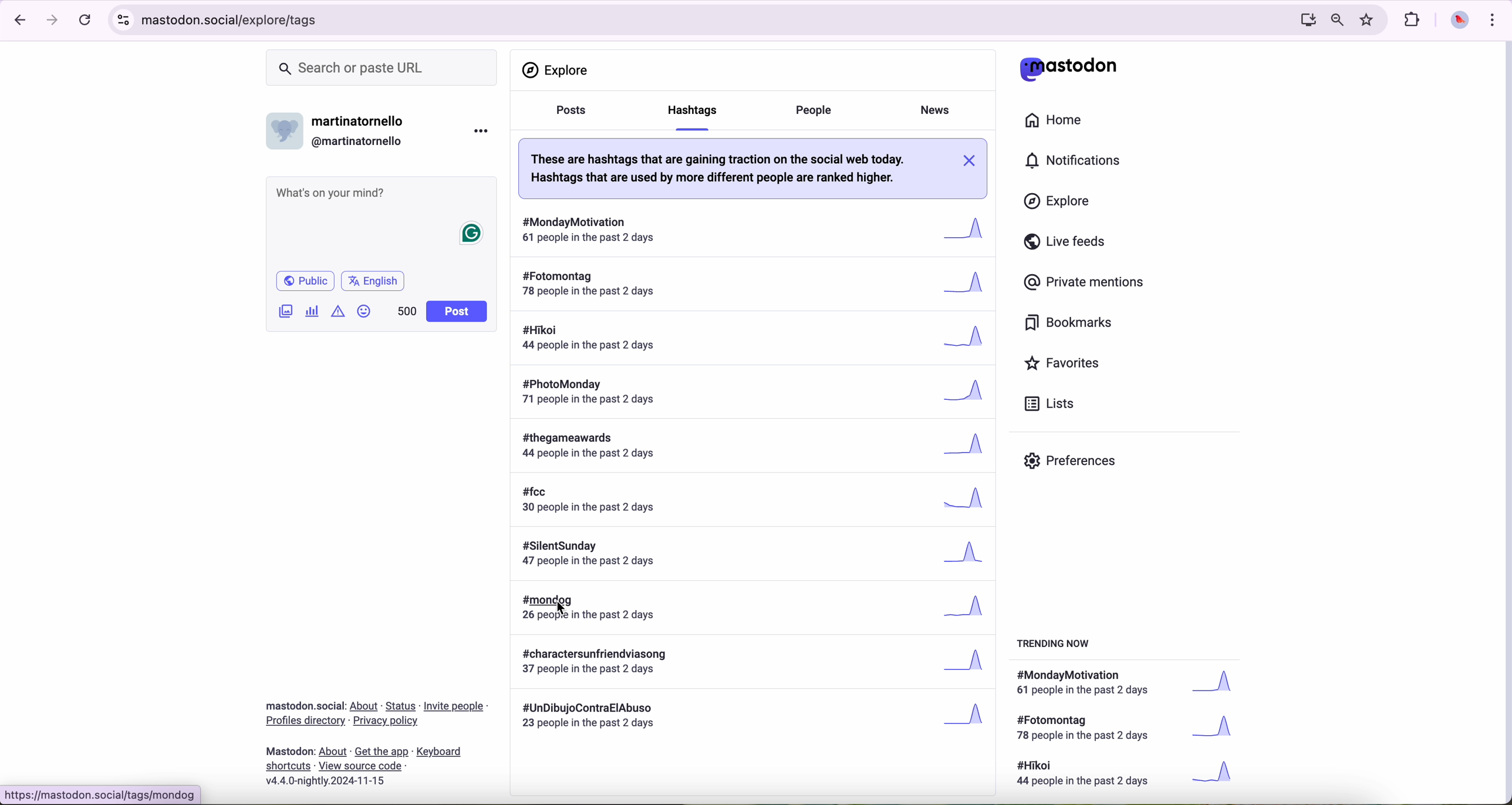  I want to click on graph, so click(1219, 730).